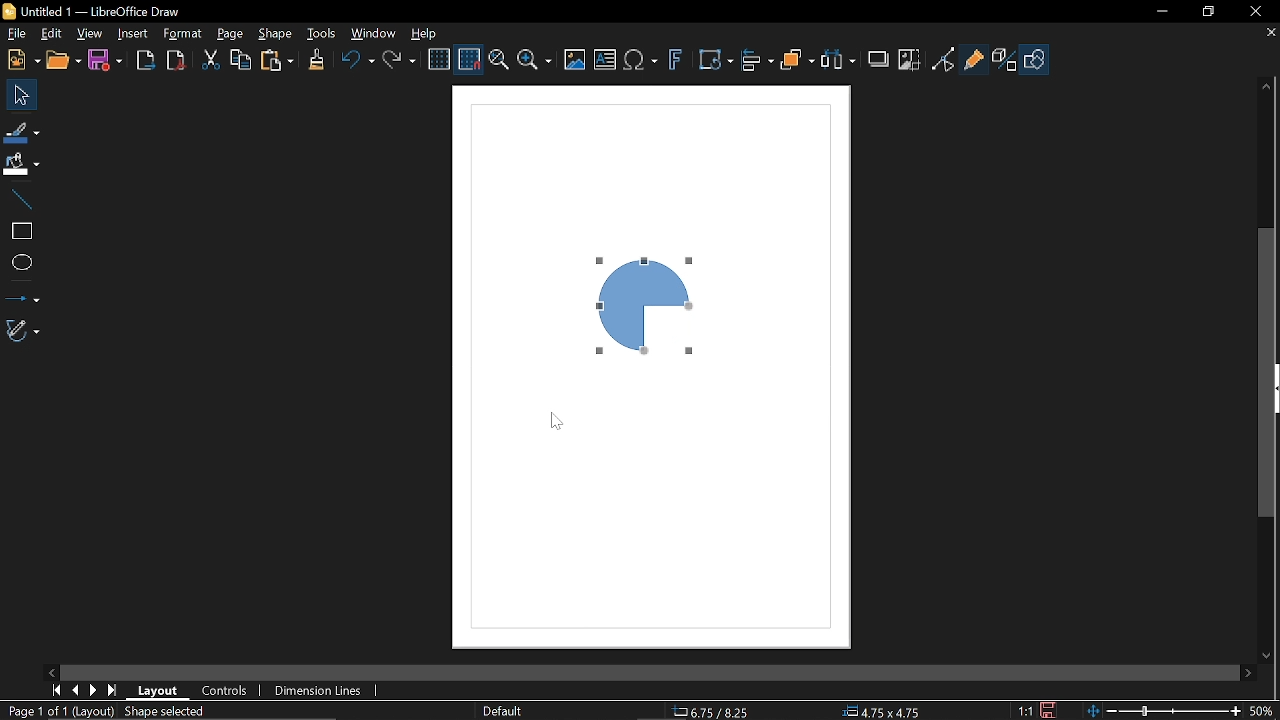 The image size is (1280, 720). Describe the element at coordinates (58, 712) in the screenshot. I see `Page 1 of 1 (Layout)` at that location.